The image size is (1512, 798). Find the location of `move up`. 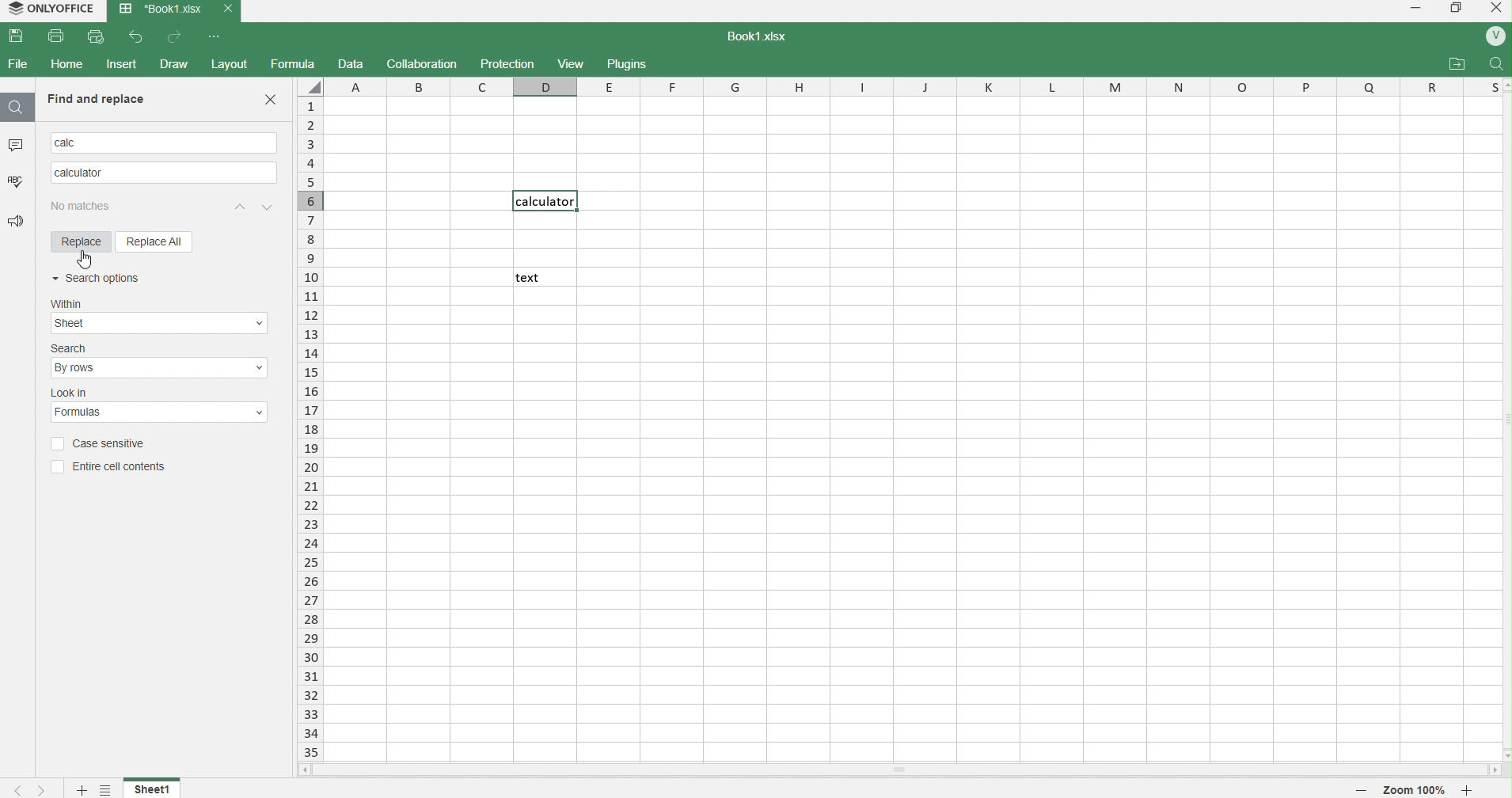

move up is located at coordinates (1503, 85).